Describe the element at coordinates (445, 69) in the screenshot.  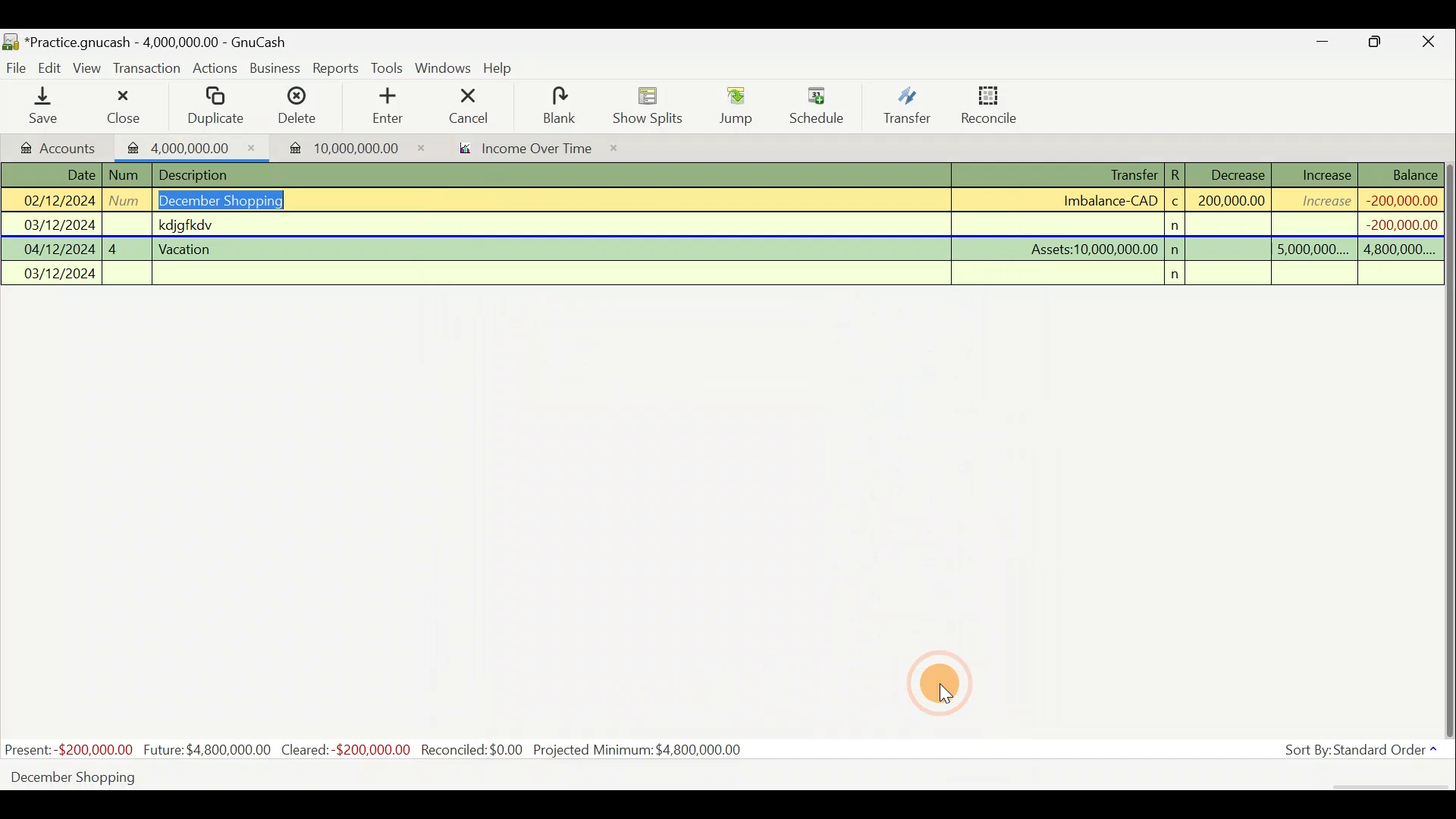
I see `Windows` at that location.